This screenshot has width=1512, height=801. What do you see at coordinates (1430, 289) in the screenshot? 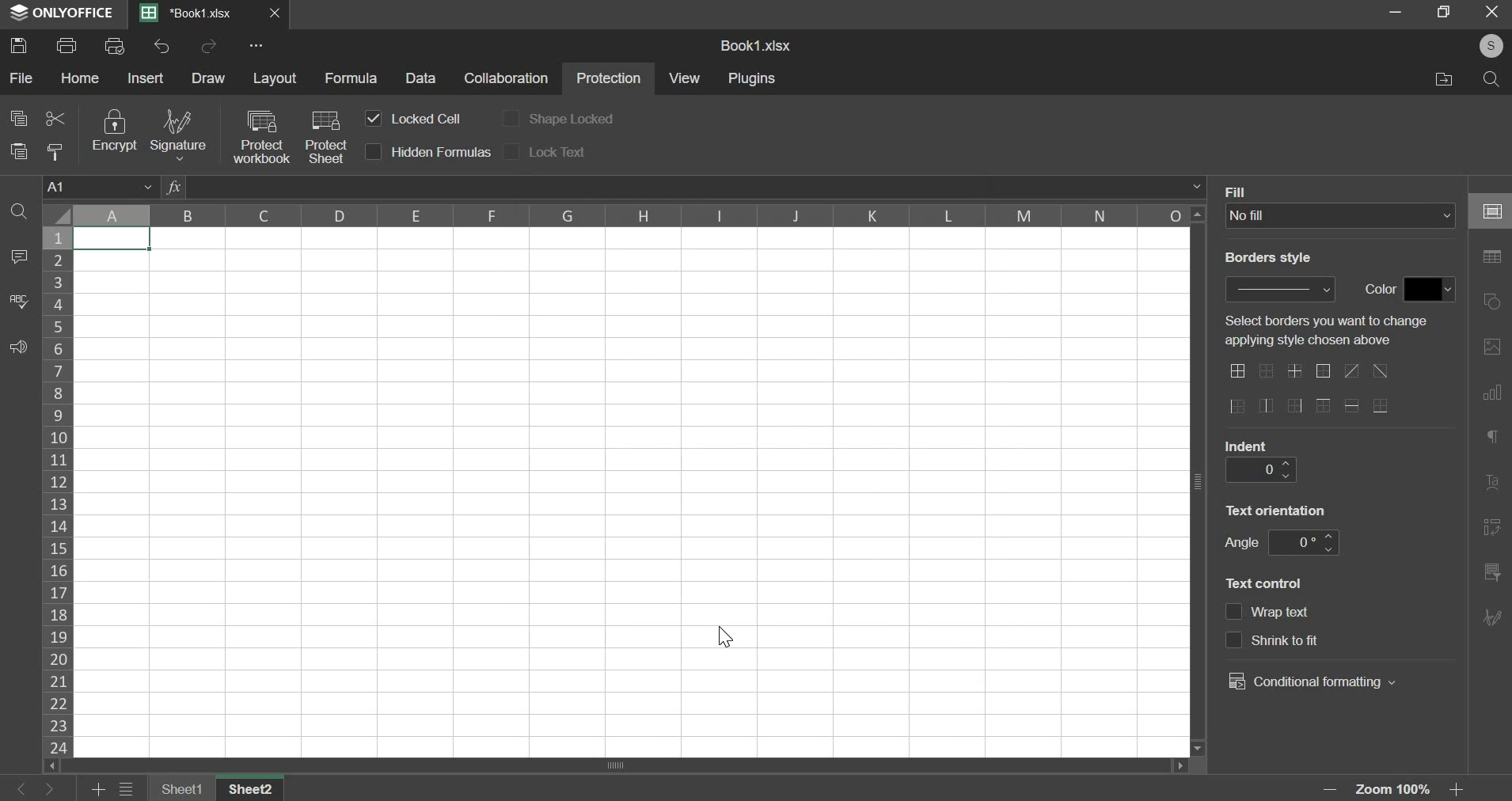
I see `fill color` at bounding box center [1430, 289].